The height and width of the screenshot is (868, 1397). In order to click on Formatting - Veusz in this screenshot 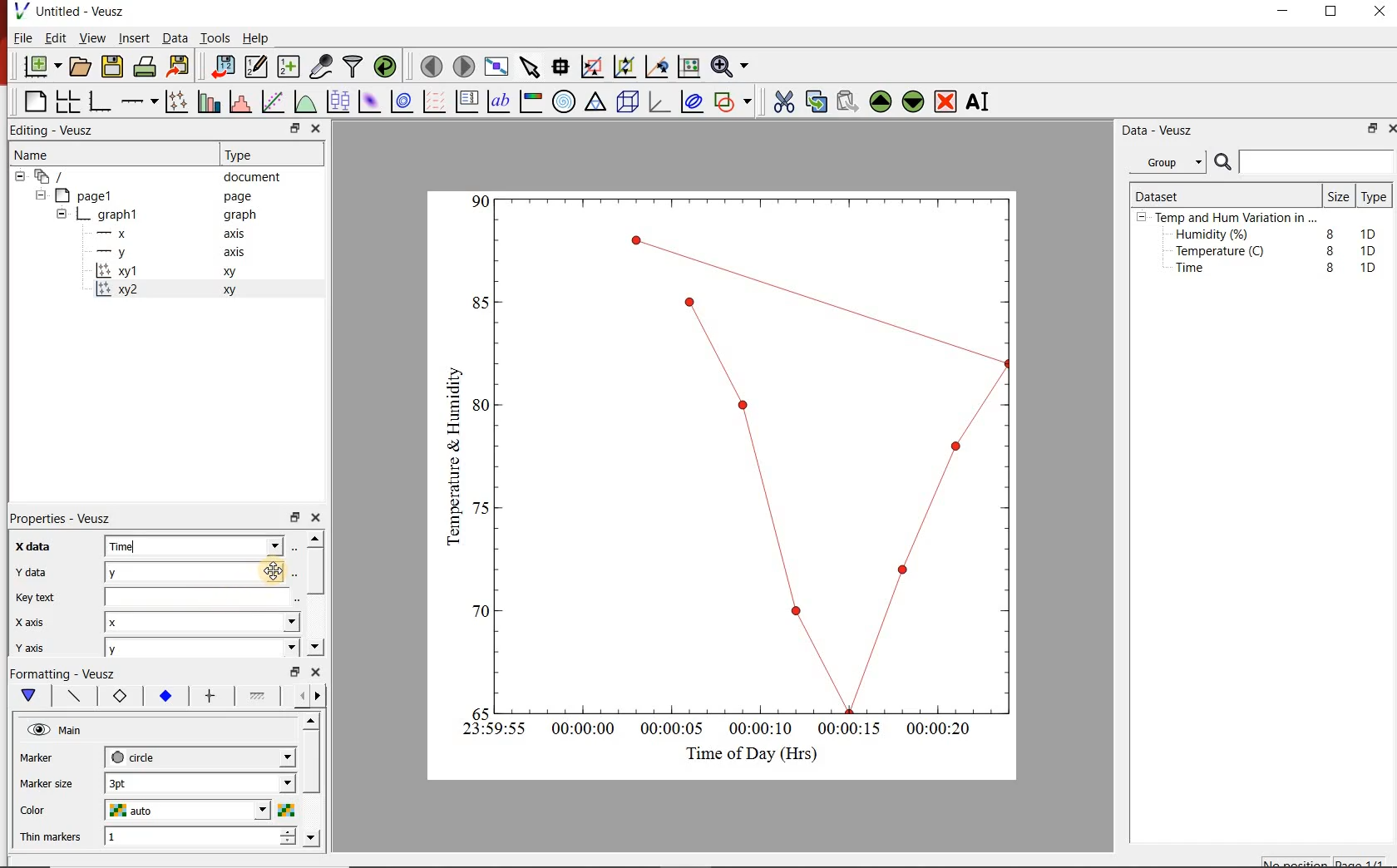, I will do `click(67, 675)`.